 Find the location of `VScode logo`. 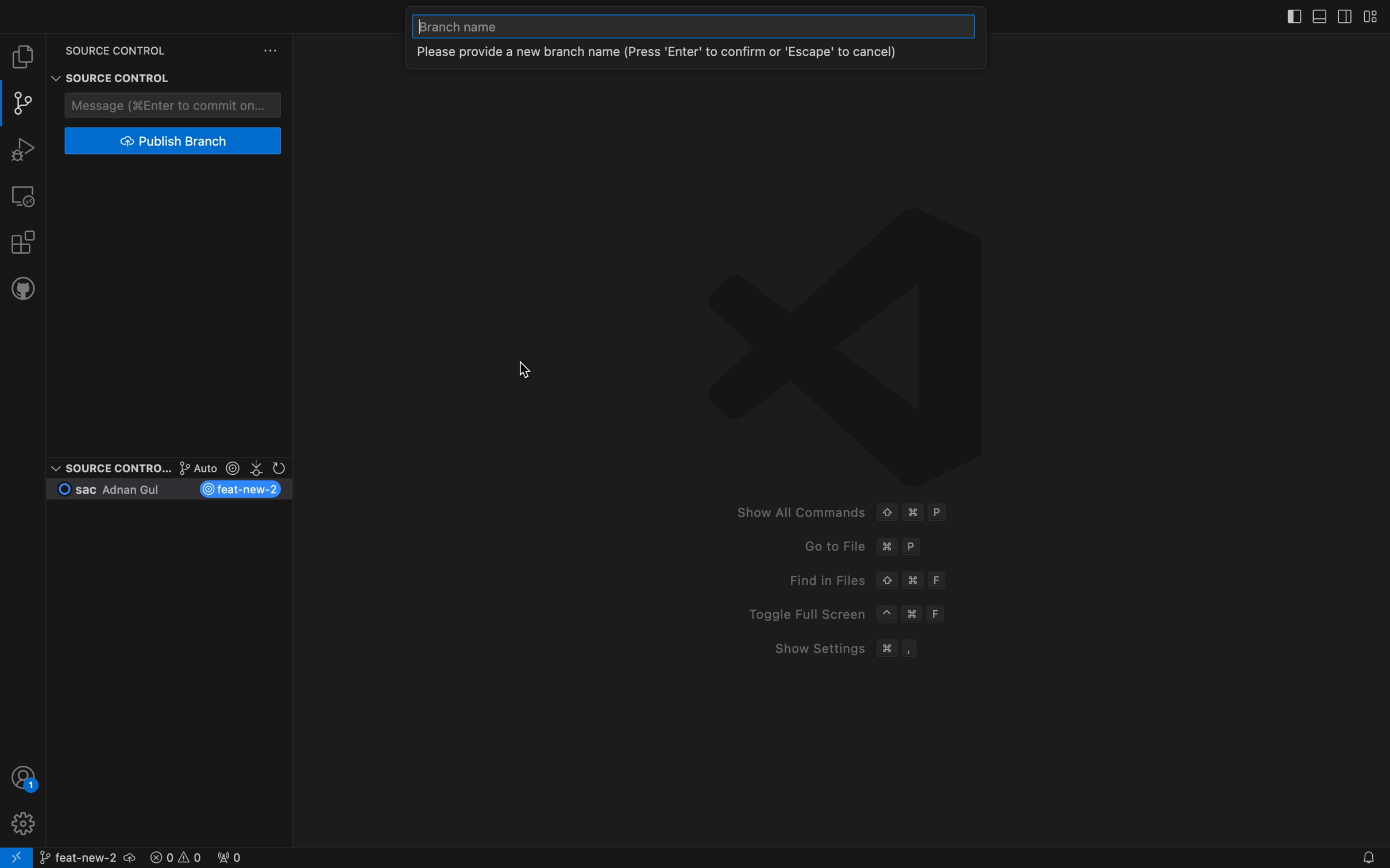

VScode logo is located at coordinates (841, 343).